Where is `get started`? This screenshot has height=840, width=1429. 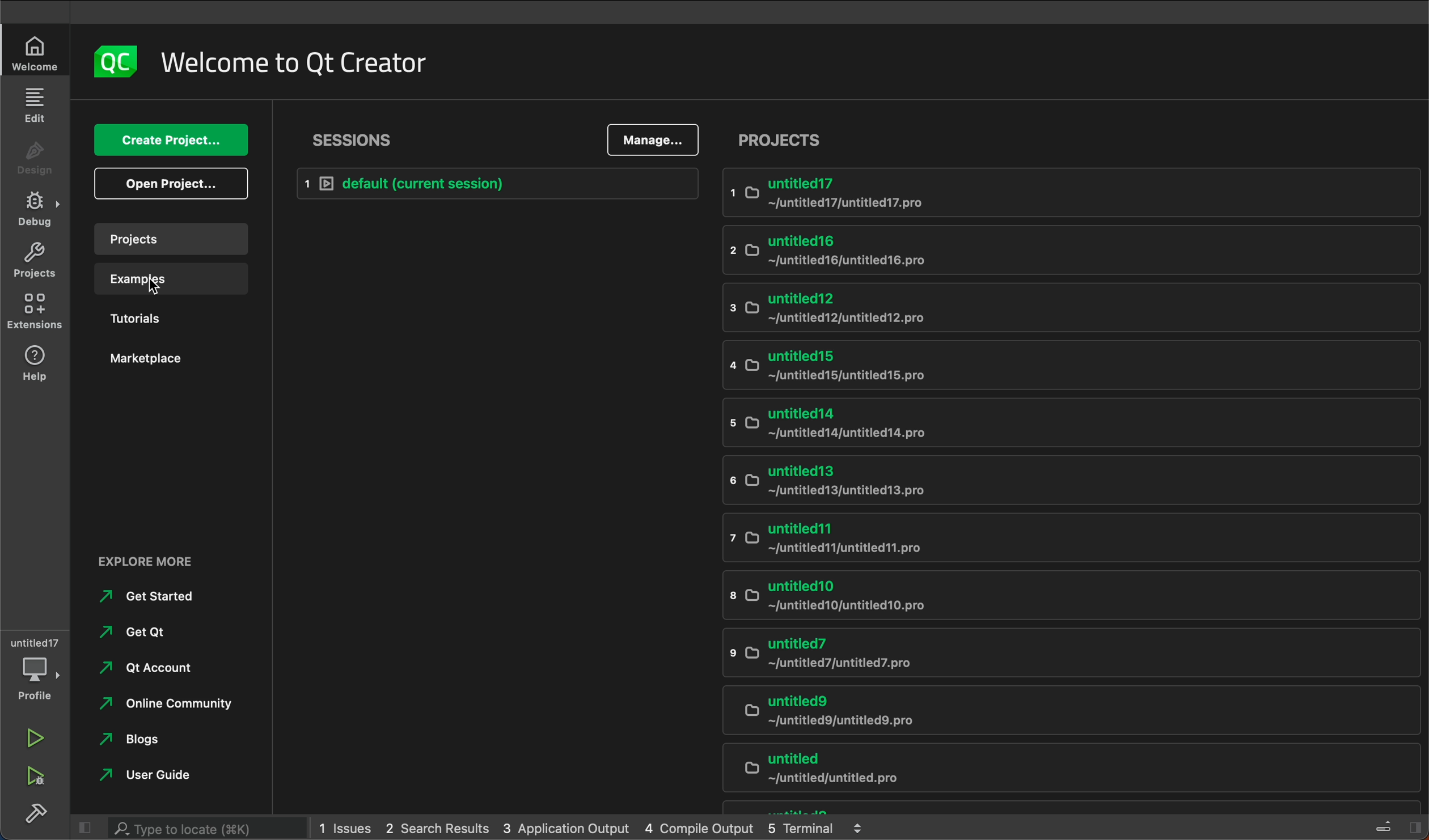
get started is located at coordinates (172, 599).